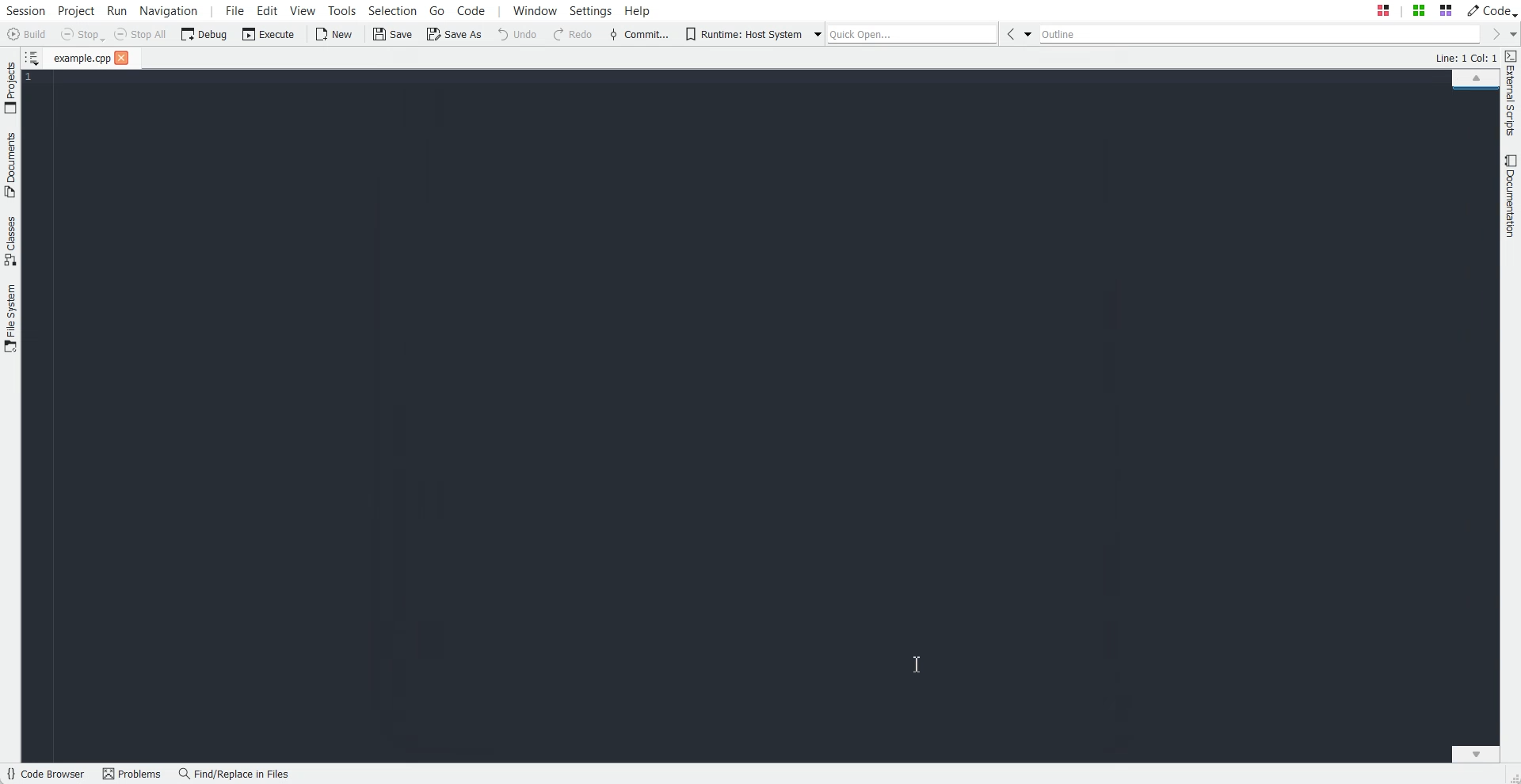 This screenshot has height=784, width=1521. Describe the element at coordinates (1511, 196) in the screenshot. I see `Documentation` at that location.